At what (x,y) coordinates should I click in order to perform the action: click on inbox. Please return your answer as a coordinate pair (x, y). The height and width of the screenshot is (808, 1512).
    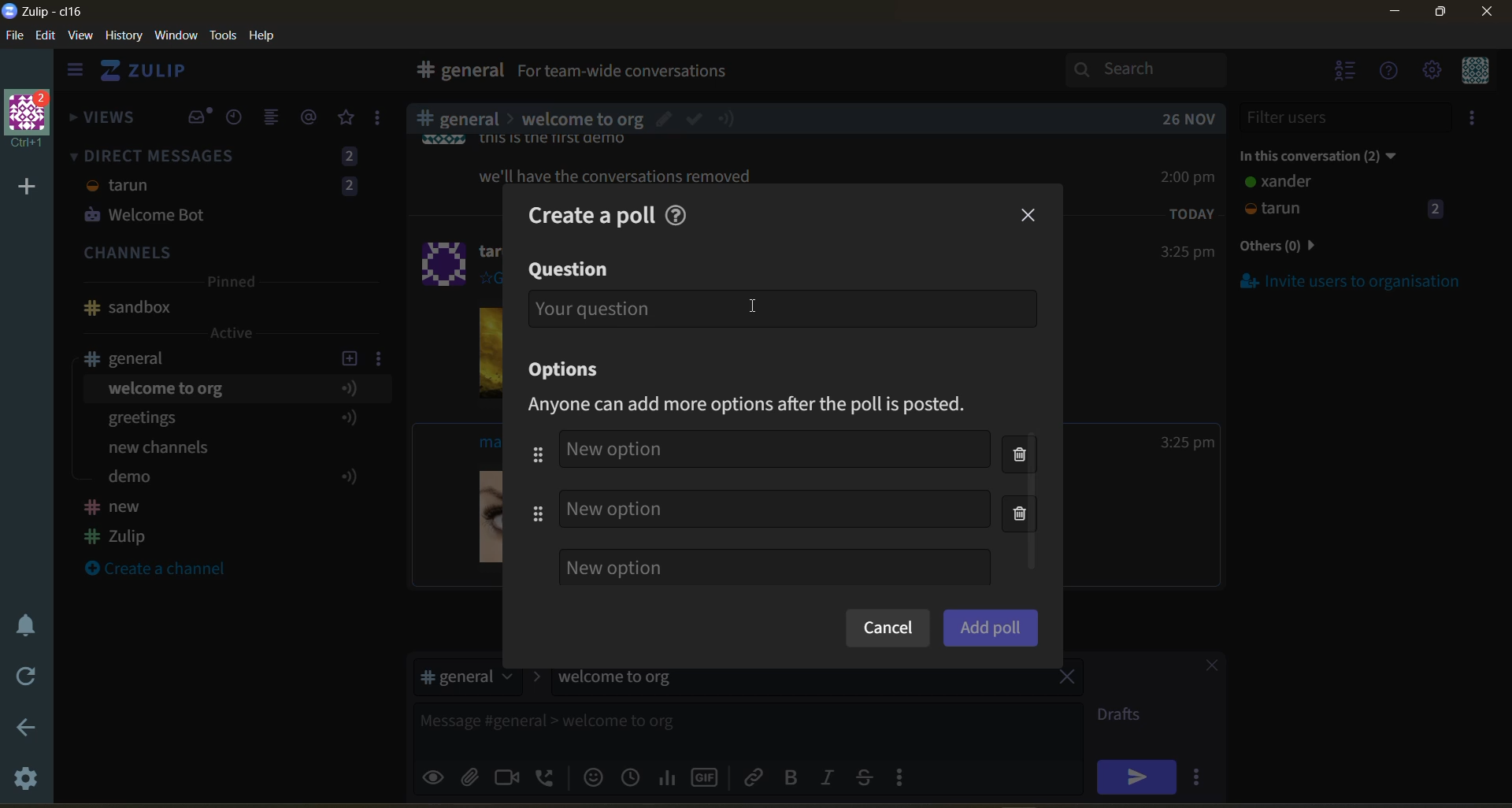
    Looking at the image, I should click on (199, 117).